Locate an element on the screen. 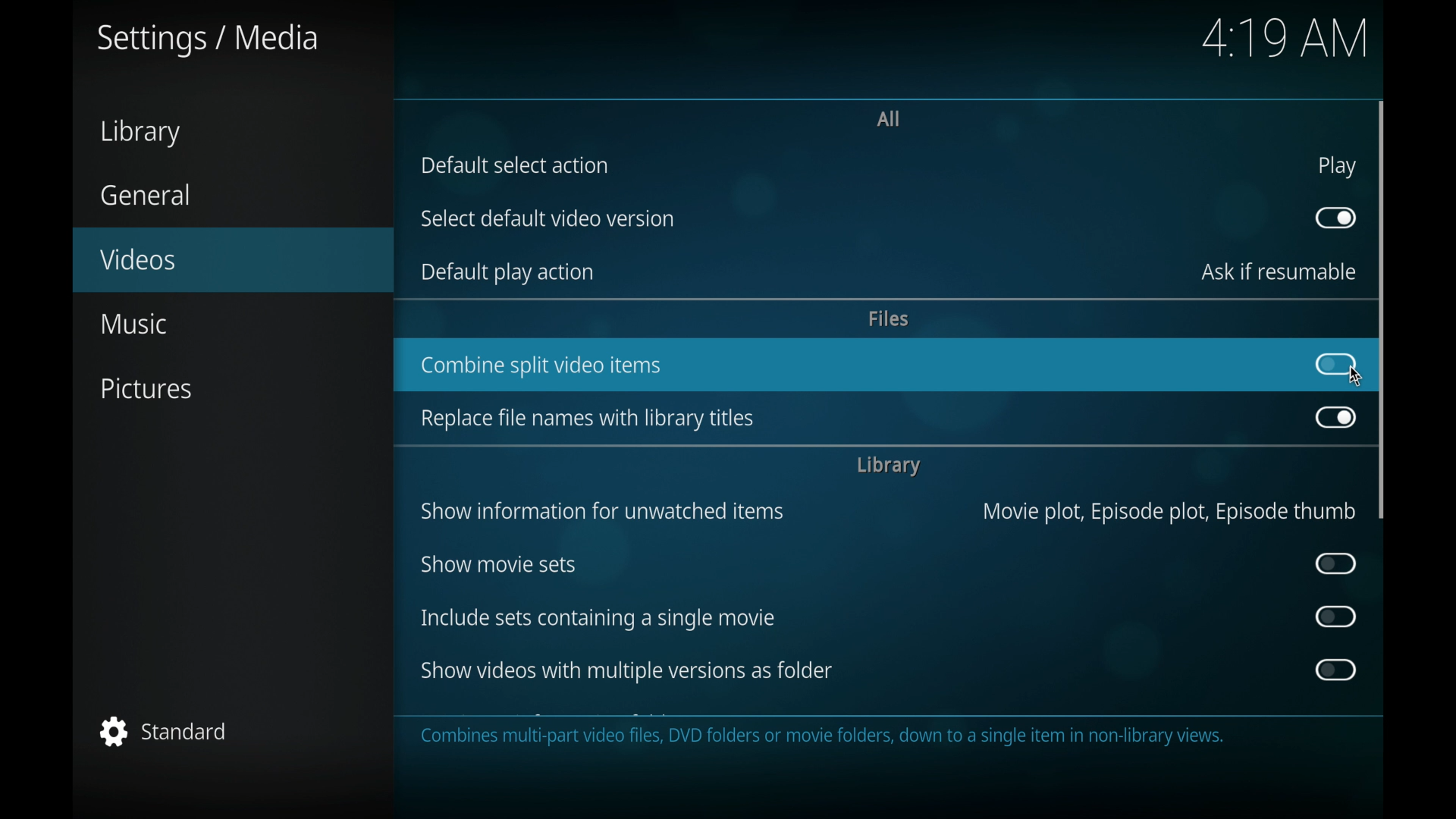 This screenshot has width=1456, height=819. toggle button is located at coordinates (1337, 419).